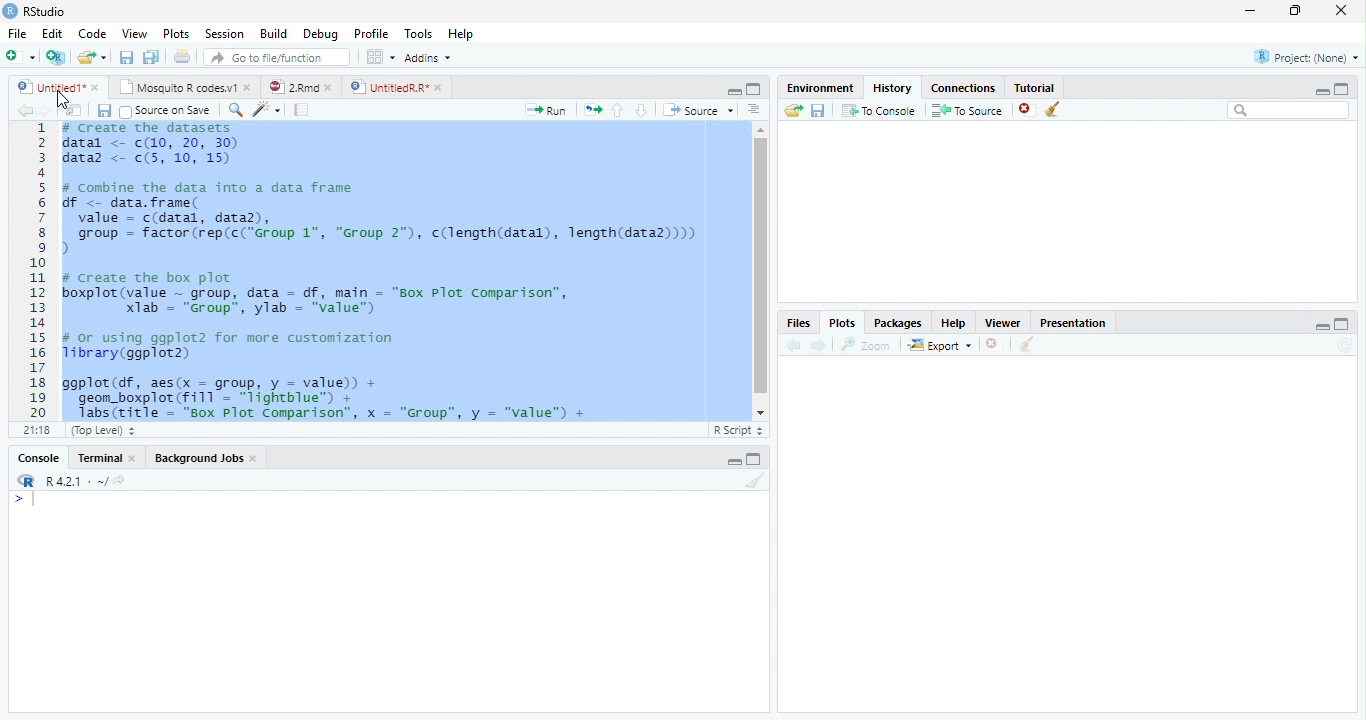 The image size is (1366, 720). Describe the element at coordinates (426, 57) in the screenshot. I see `Addins` at that location.